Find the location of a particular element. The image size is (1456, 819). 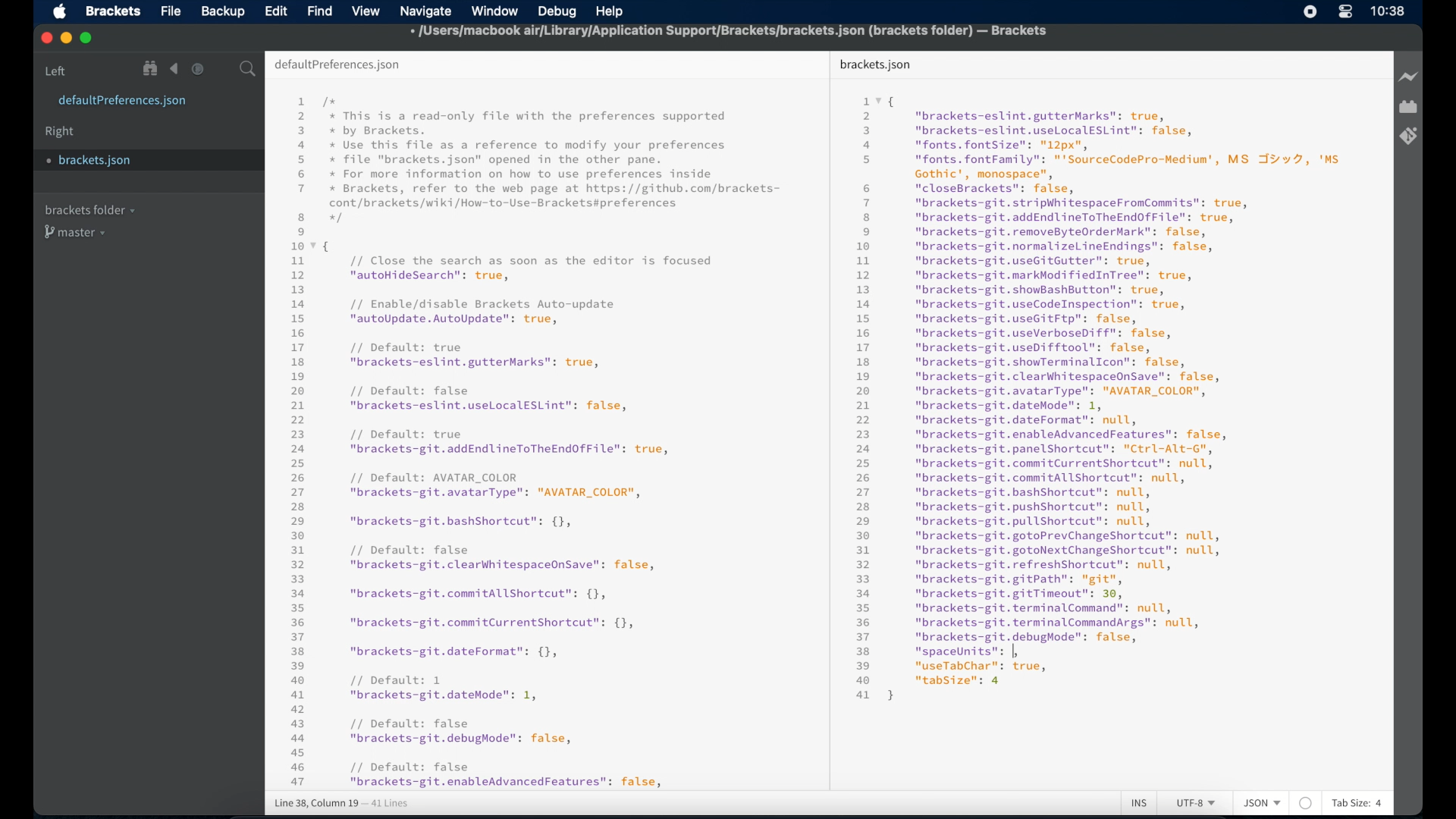

master is located at coordinates (77, 232).